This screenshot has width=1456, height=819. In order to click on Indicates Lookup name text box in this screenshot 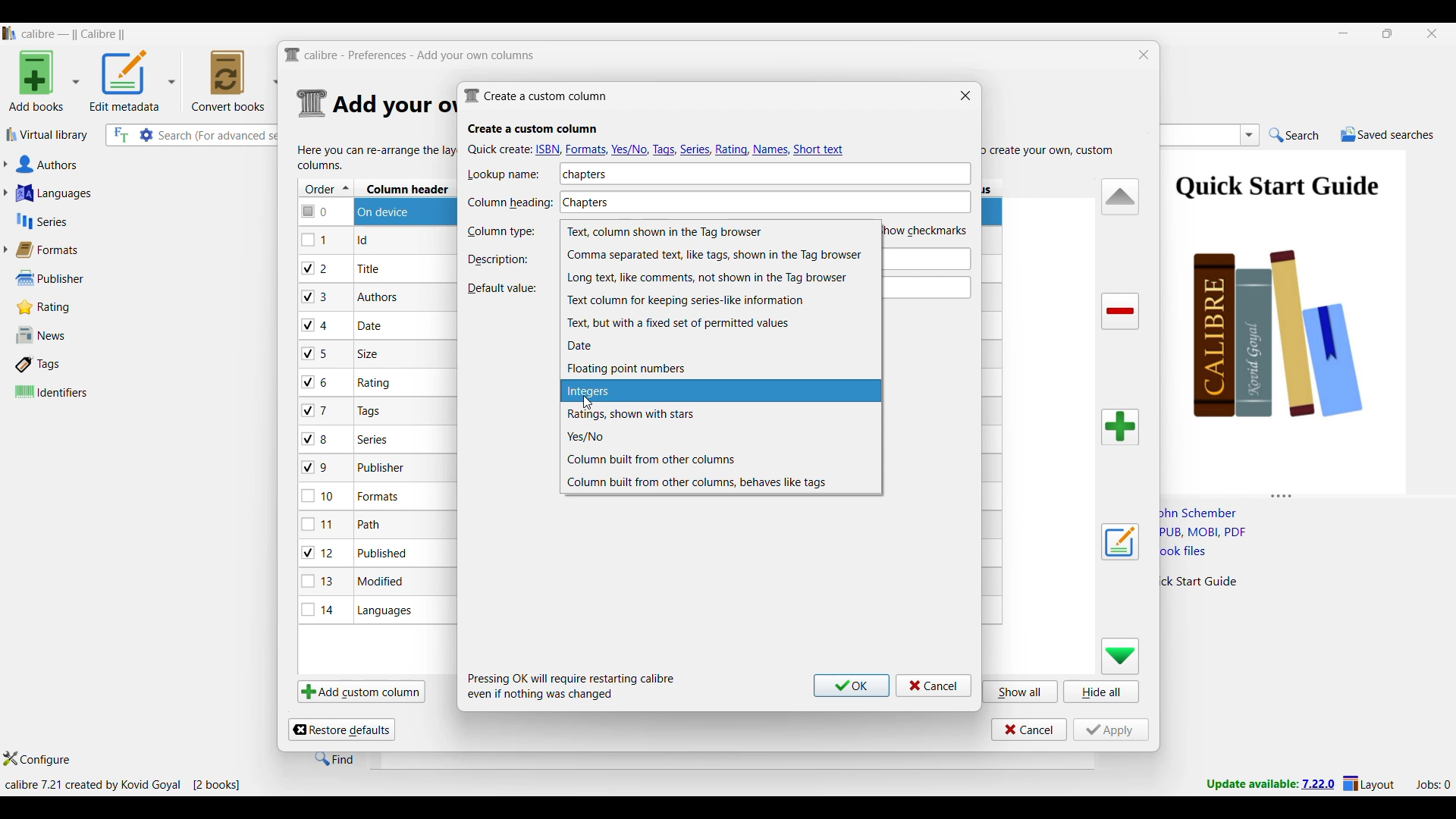, I will do `click(509, 174)`.